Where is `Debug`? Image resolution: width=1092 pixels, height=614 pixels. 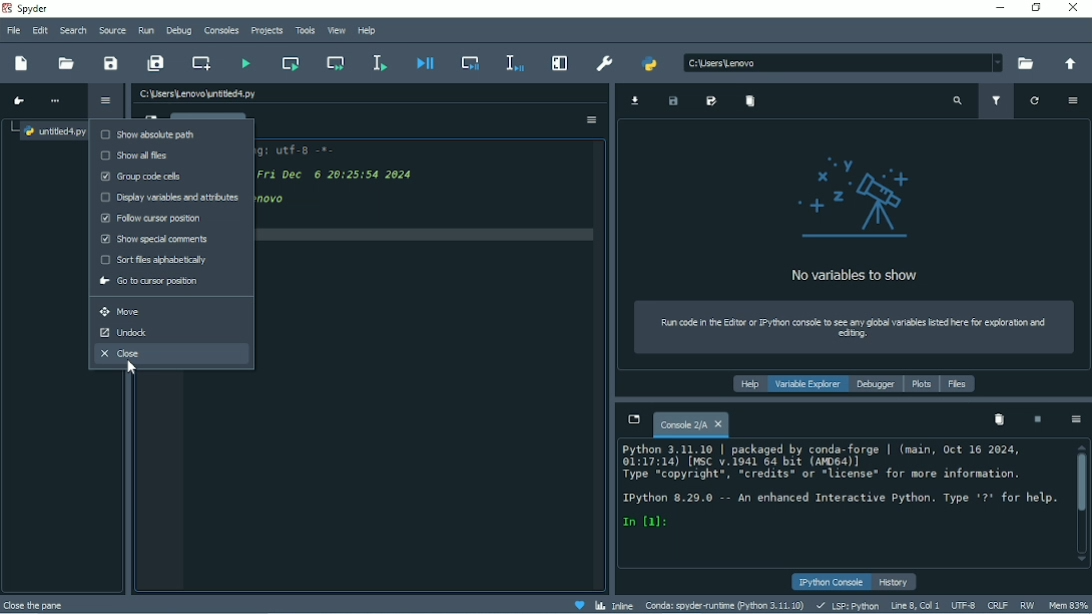 Debug is located at coordinates (179, 32).